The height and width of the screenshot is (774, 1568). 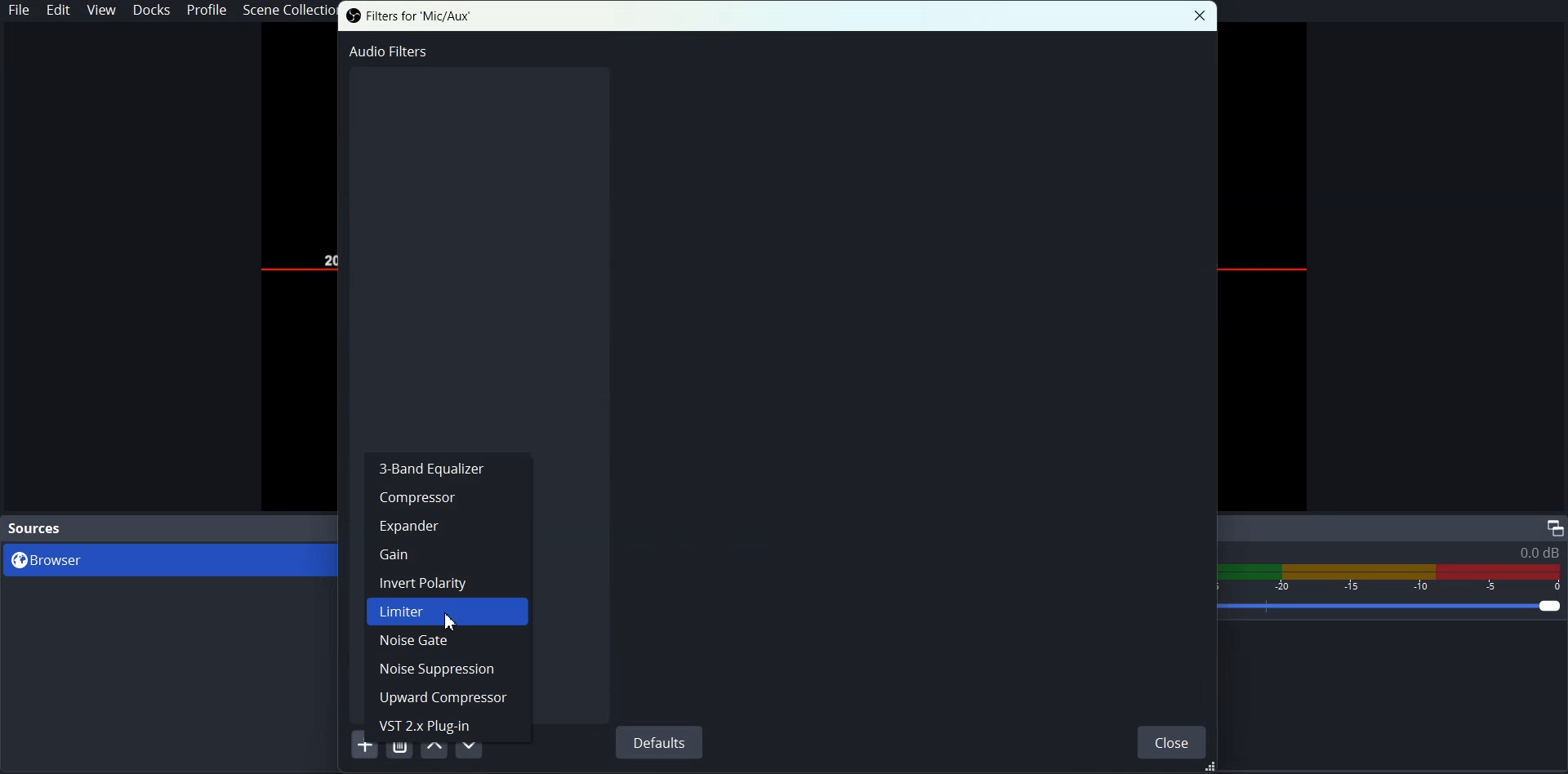 I want to click on Noise Gate, so click(x=448, y=642).